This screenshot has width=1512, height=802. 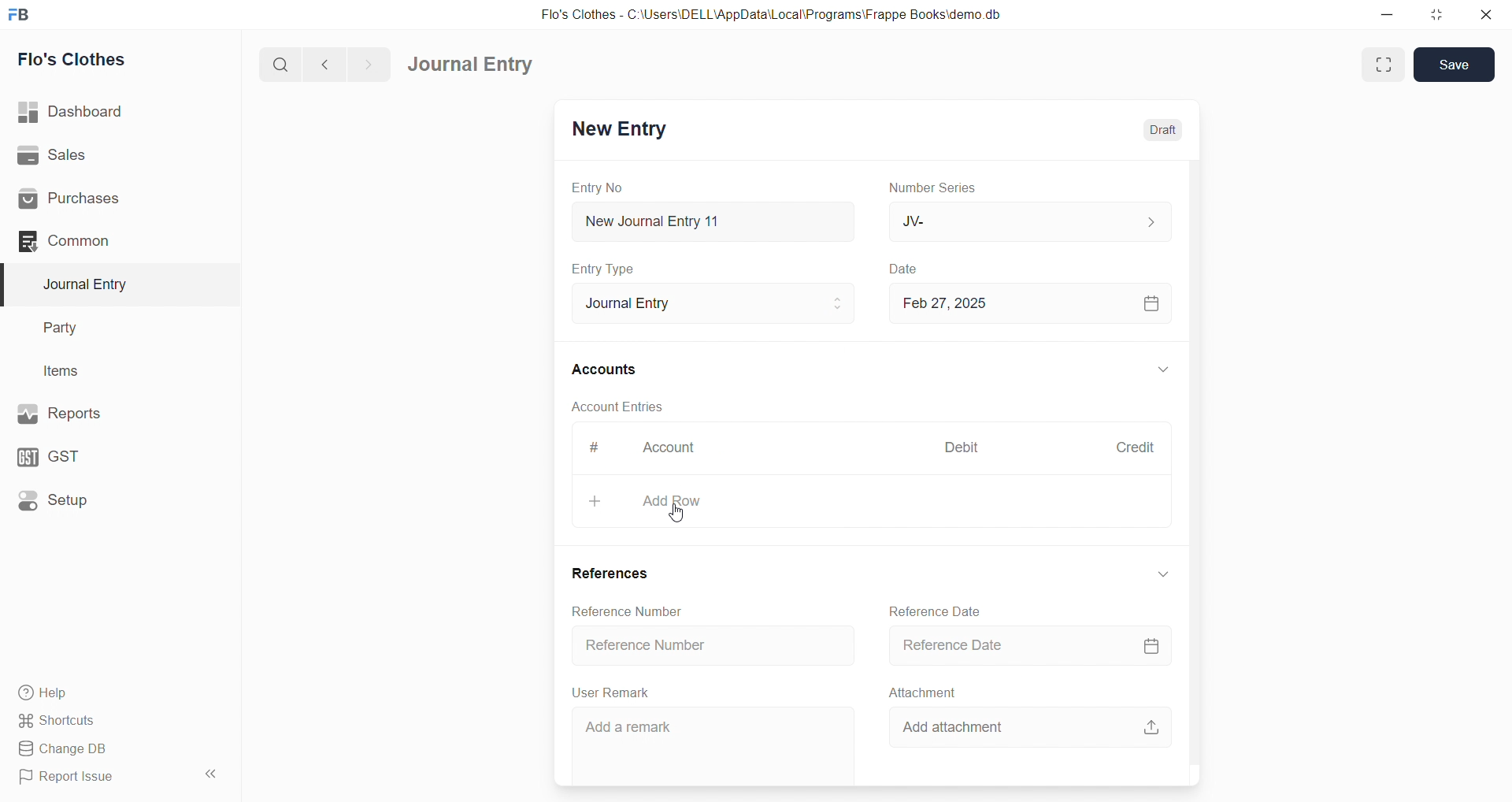 I want to click on Entry Type, so click(x=604, y=269).